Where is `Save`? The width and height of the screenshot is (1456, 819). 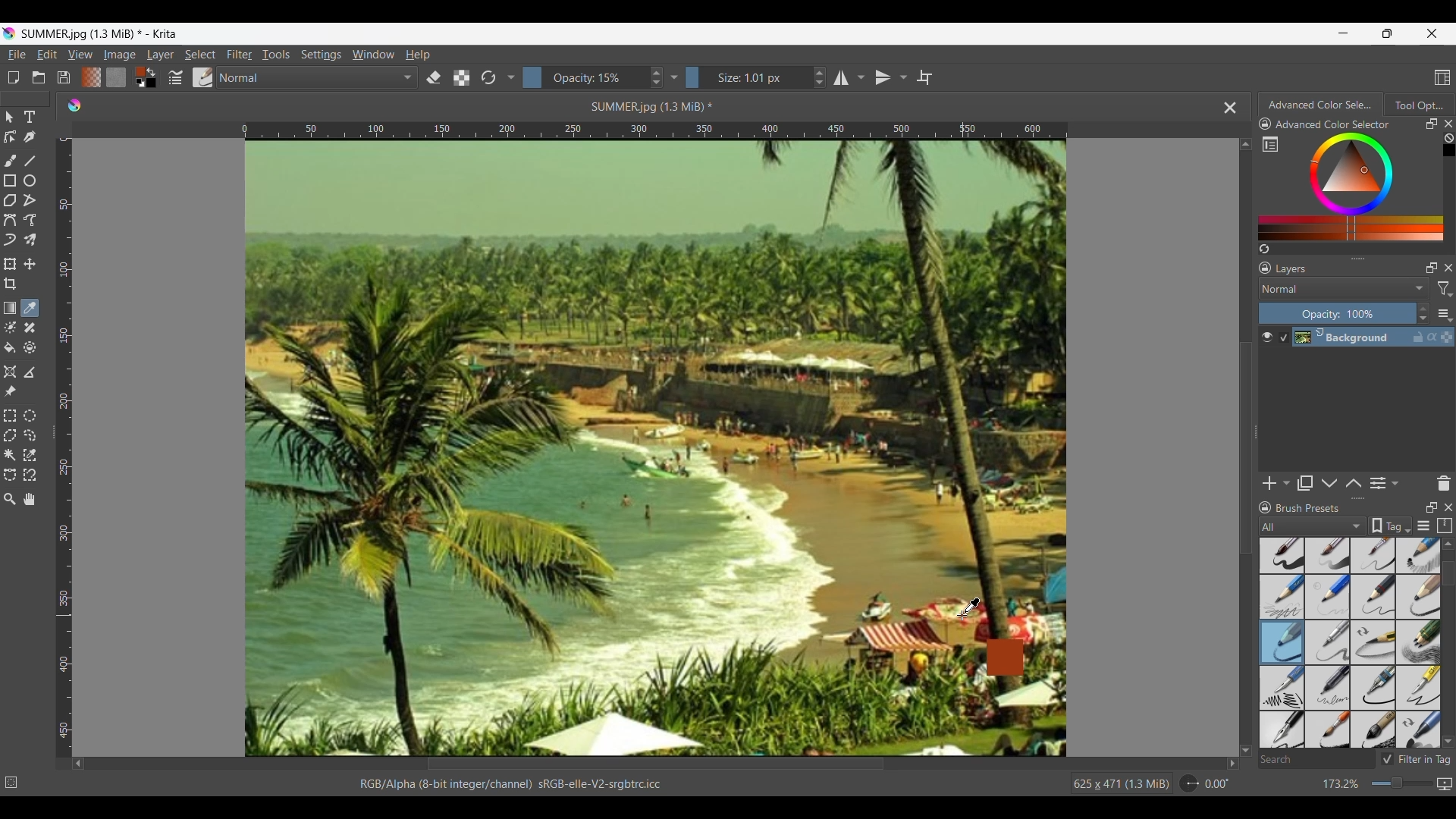 Save is located at coordinates (63, 77).